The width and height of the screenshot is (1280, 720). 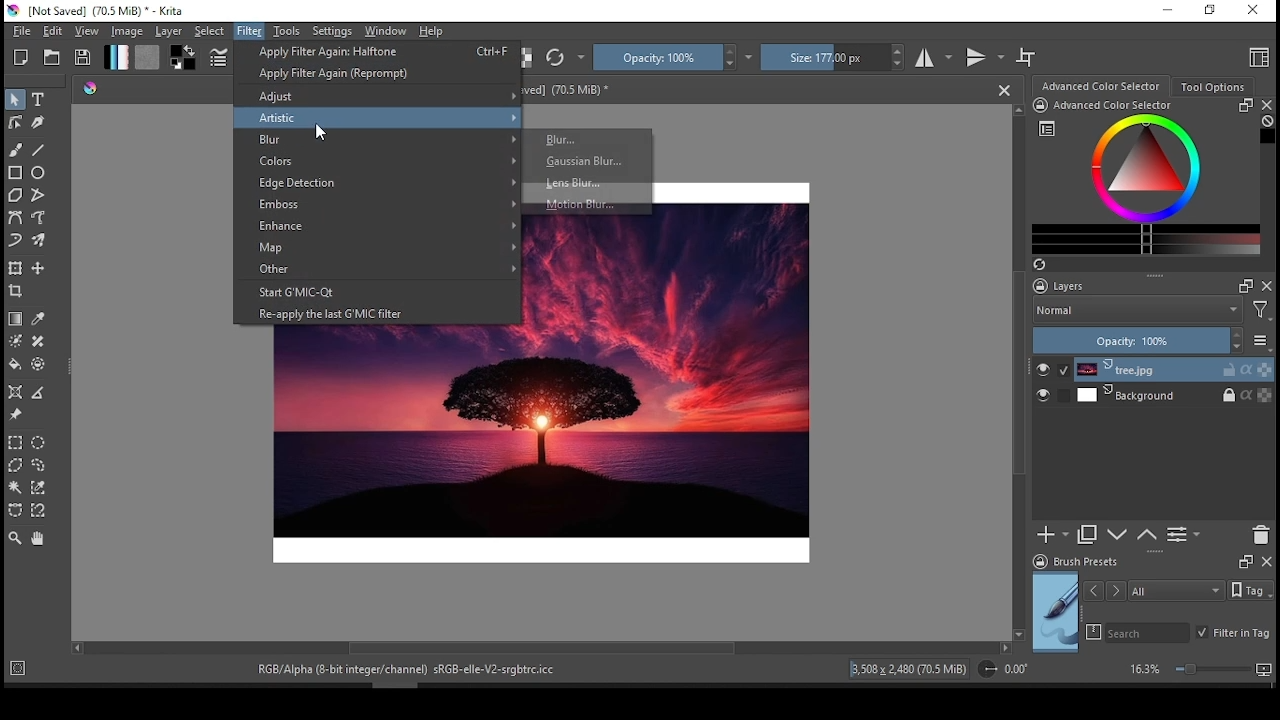 I want to click on Clear, so click(x=1268, y=122).